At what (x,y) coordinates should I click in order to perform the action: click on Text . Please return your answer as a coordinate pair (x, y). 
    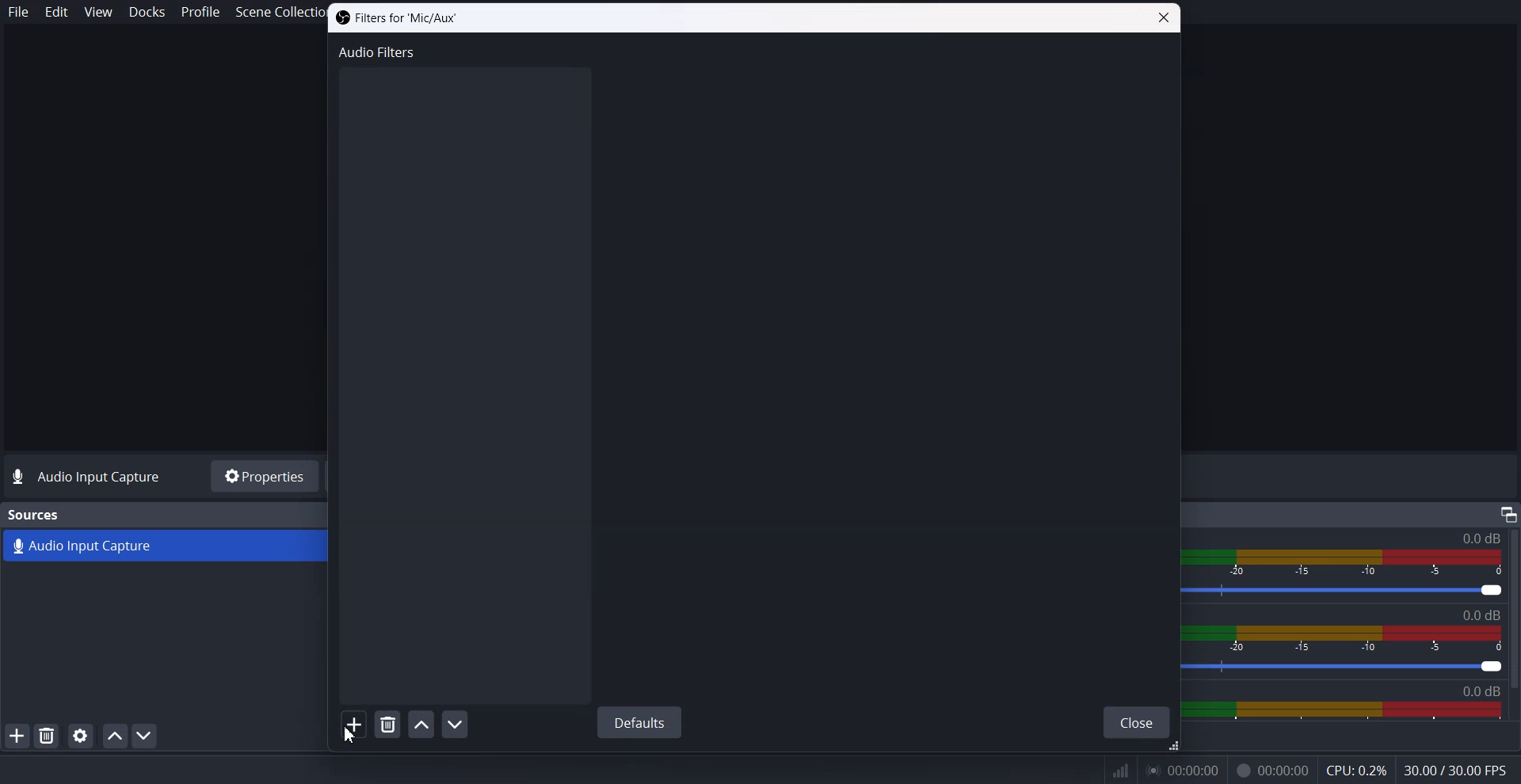
    Looking at the image, I should click on (89, 478).